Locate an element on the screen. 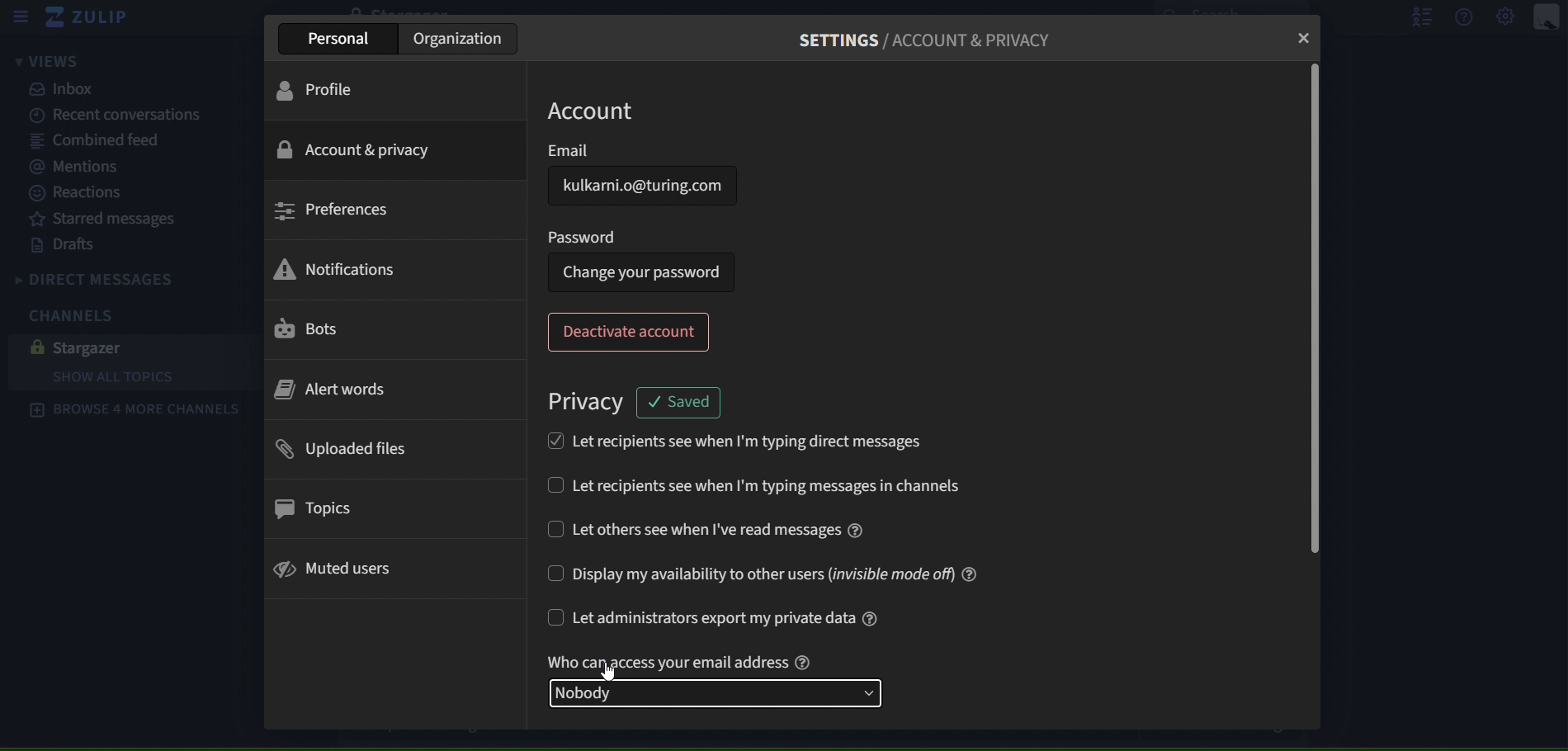 The width and height of the screenshot is (1568, 751). topics is located at coordinates (310, 508).